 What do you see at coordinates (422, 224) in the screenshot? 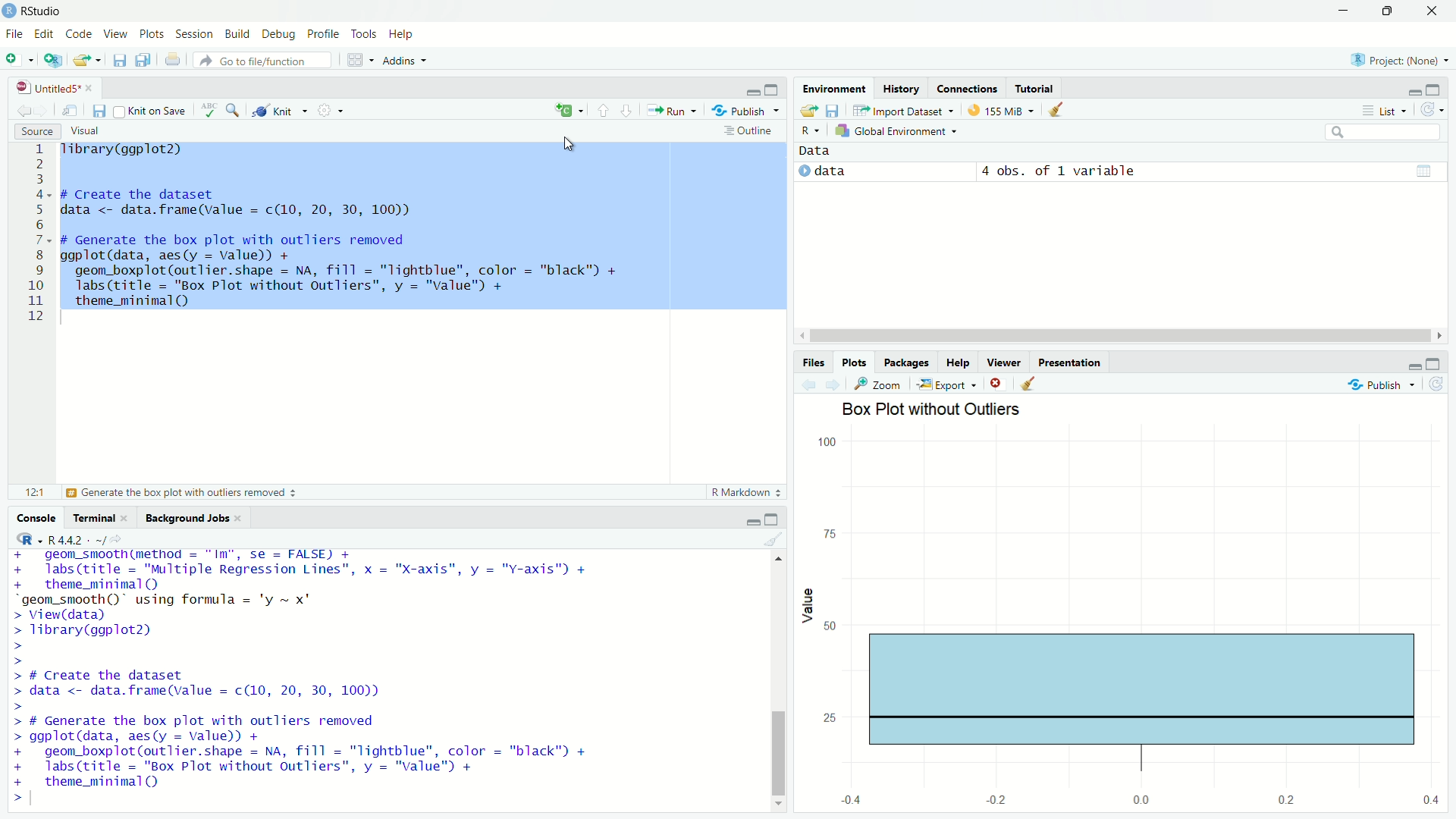
I see `Tibrary(ggplot2)

# Create the dataset

data <- data.frame(value = c(10, 20, 30, 100))

# Generate the box plot with outliers removed ii

ggplot(data, aes(y = Valued) +
geom_boxplot(outlier.shape = NA, fill = "lightblue", color = "black") +
labs (title = "Box Plot without outliers", y = "value") +
theme_minimal)` at bounding box center [422, 224].